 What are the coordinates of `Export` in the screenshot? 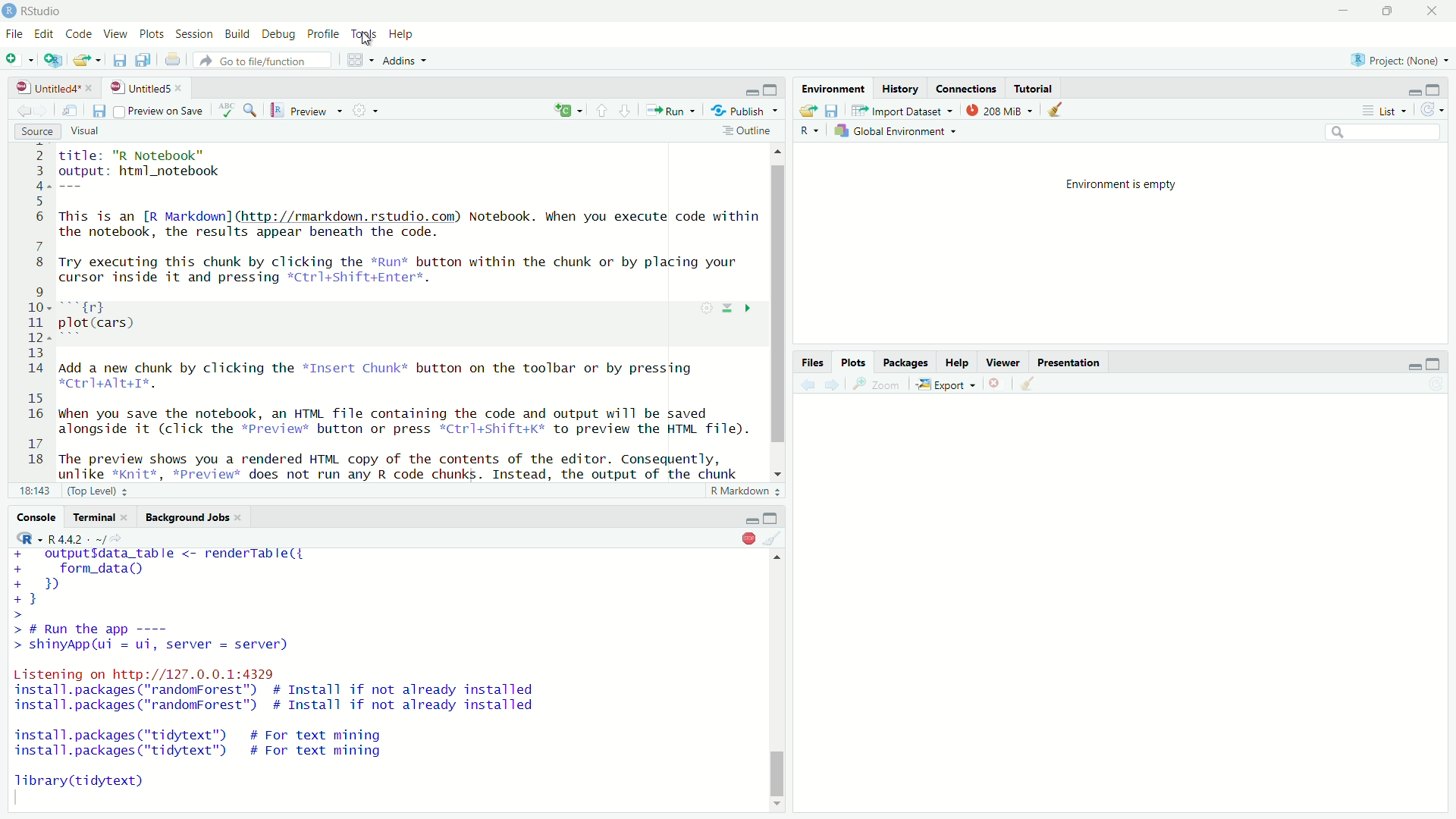 It's located at (948, 385).